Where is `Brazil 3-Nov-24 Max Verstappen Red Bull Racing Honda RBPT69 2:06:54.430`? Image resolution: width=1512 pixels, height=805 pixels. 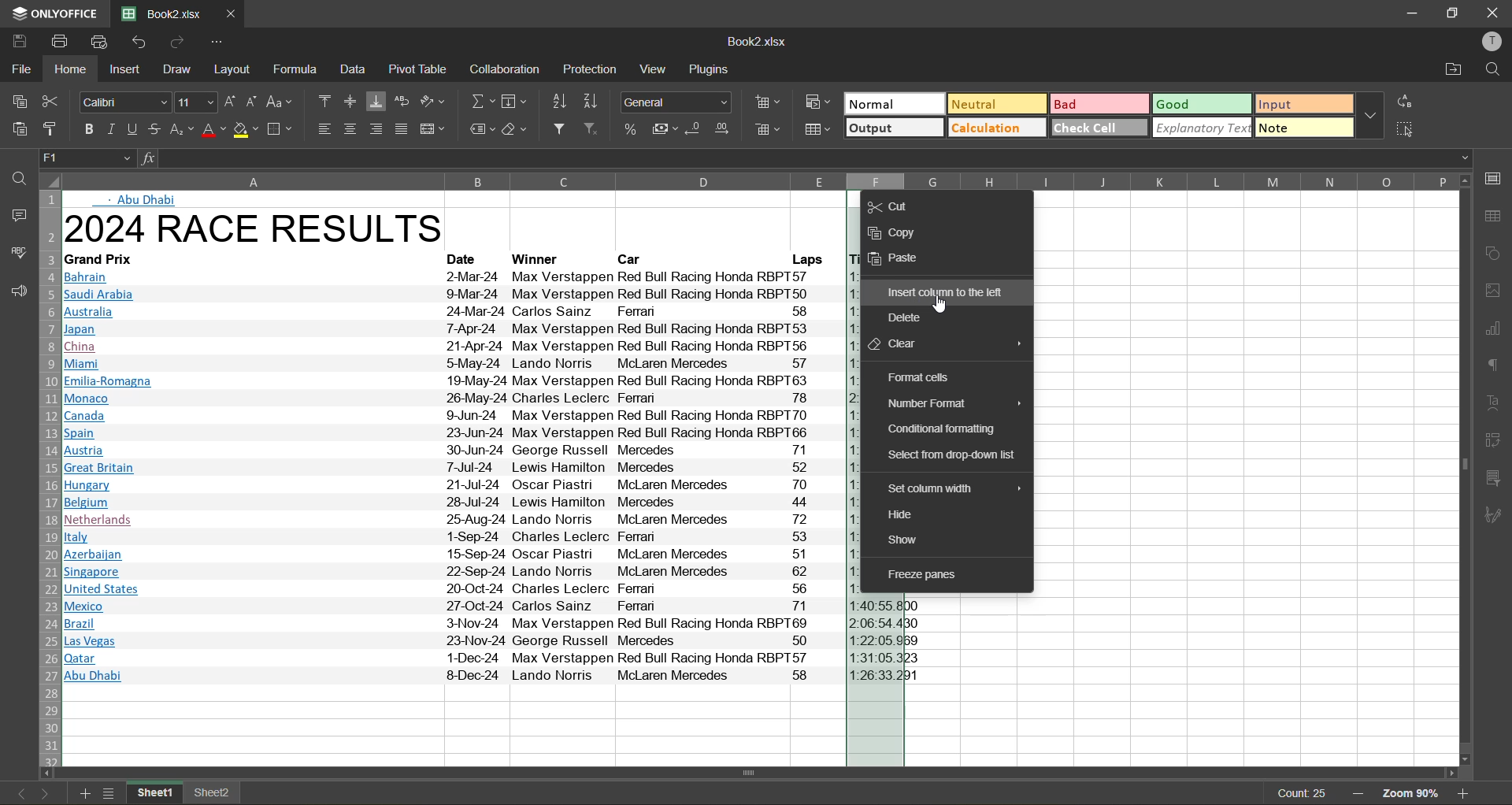 Brazil 3-Nov-24 Max Verstappen Red Bull Racing Honda RBPT69 2:06:54.430 is located at coordinates (496, 625).